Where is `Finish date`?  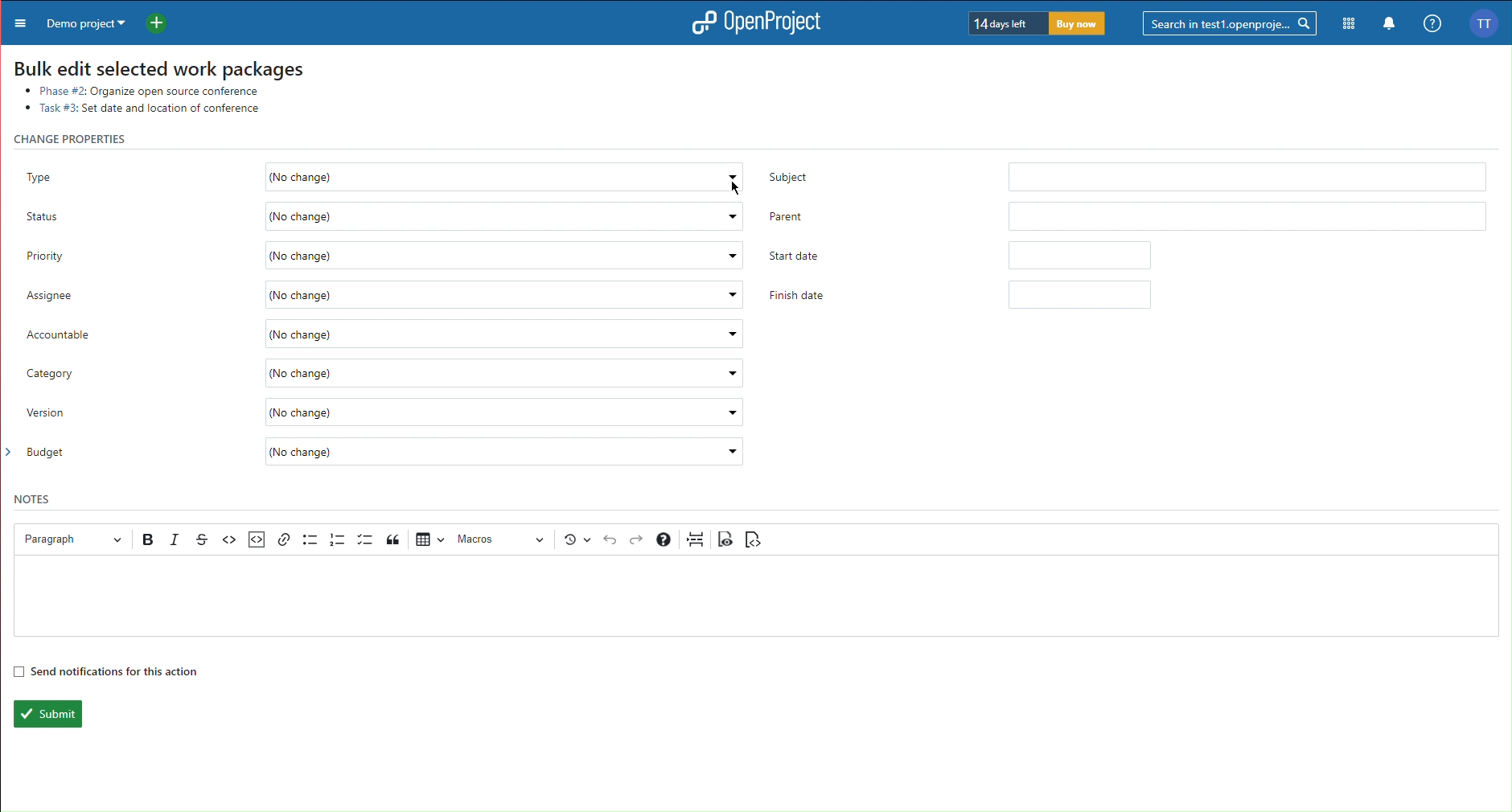
Finish date is located at coordinates (964, 297).